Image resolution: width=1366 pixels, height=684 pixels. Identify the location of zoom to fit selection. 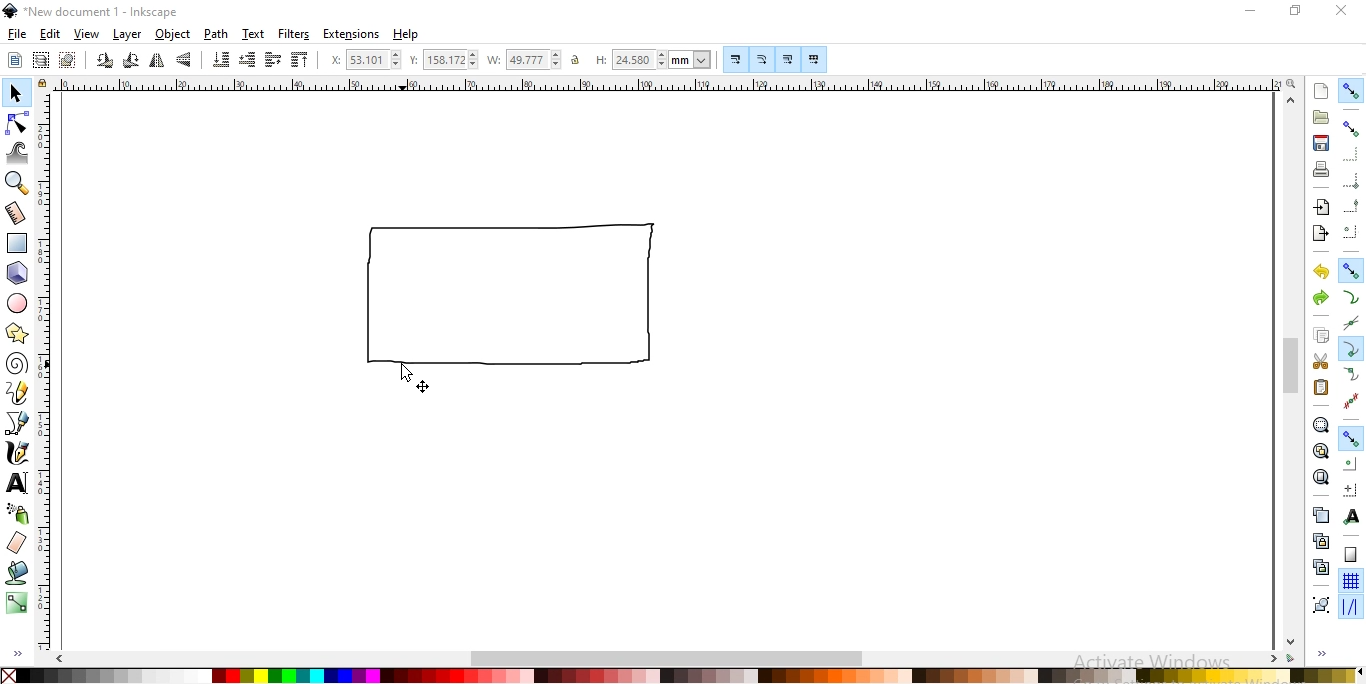
(1320, 425).